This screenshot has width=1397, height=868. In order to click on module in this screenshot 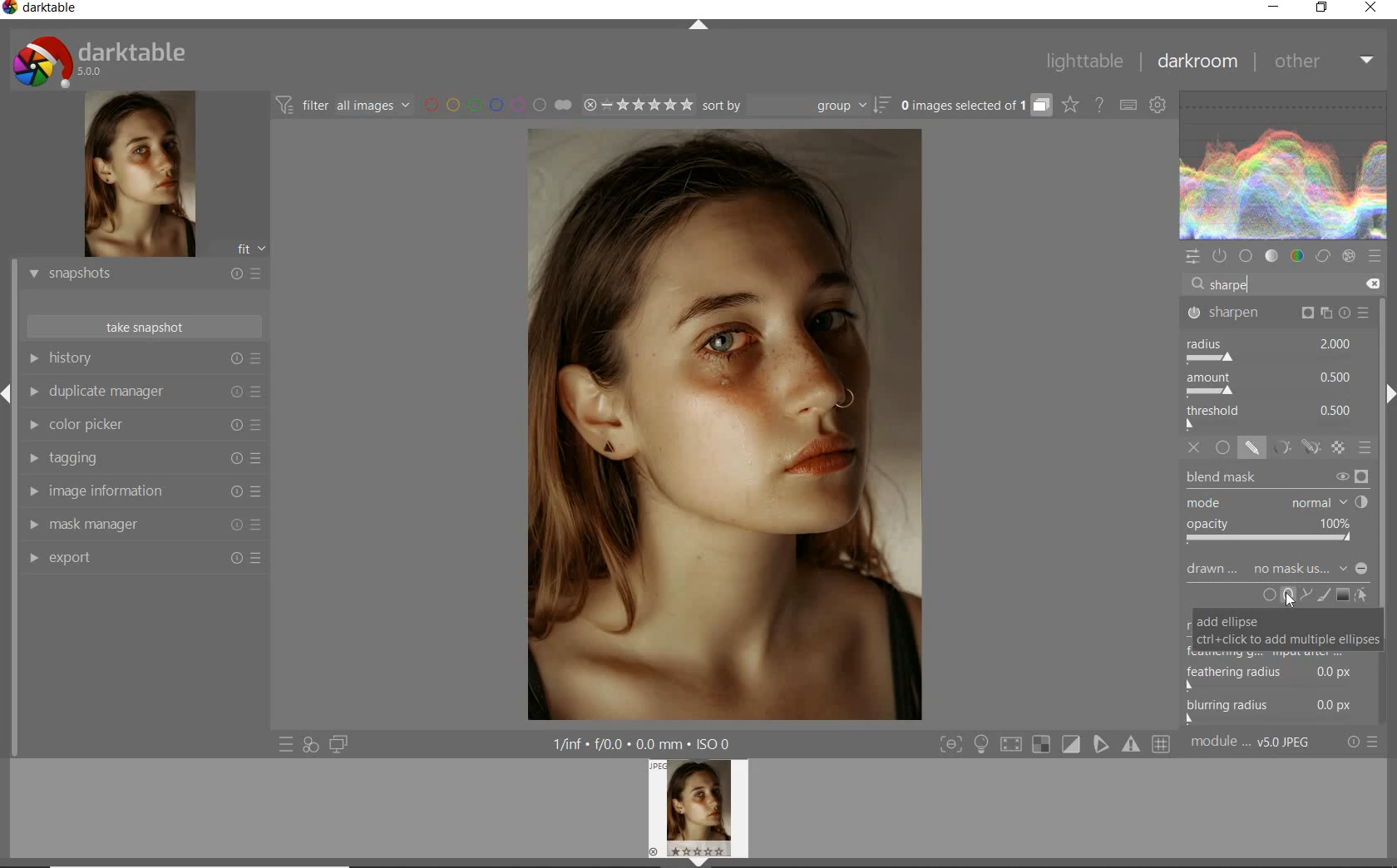, I will do `click(1252, 742)`.